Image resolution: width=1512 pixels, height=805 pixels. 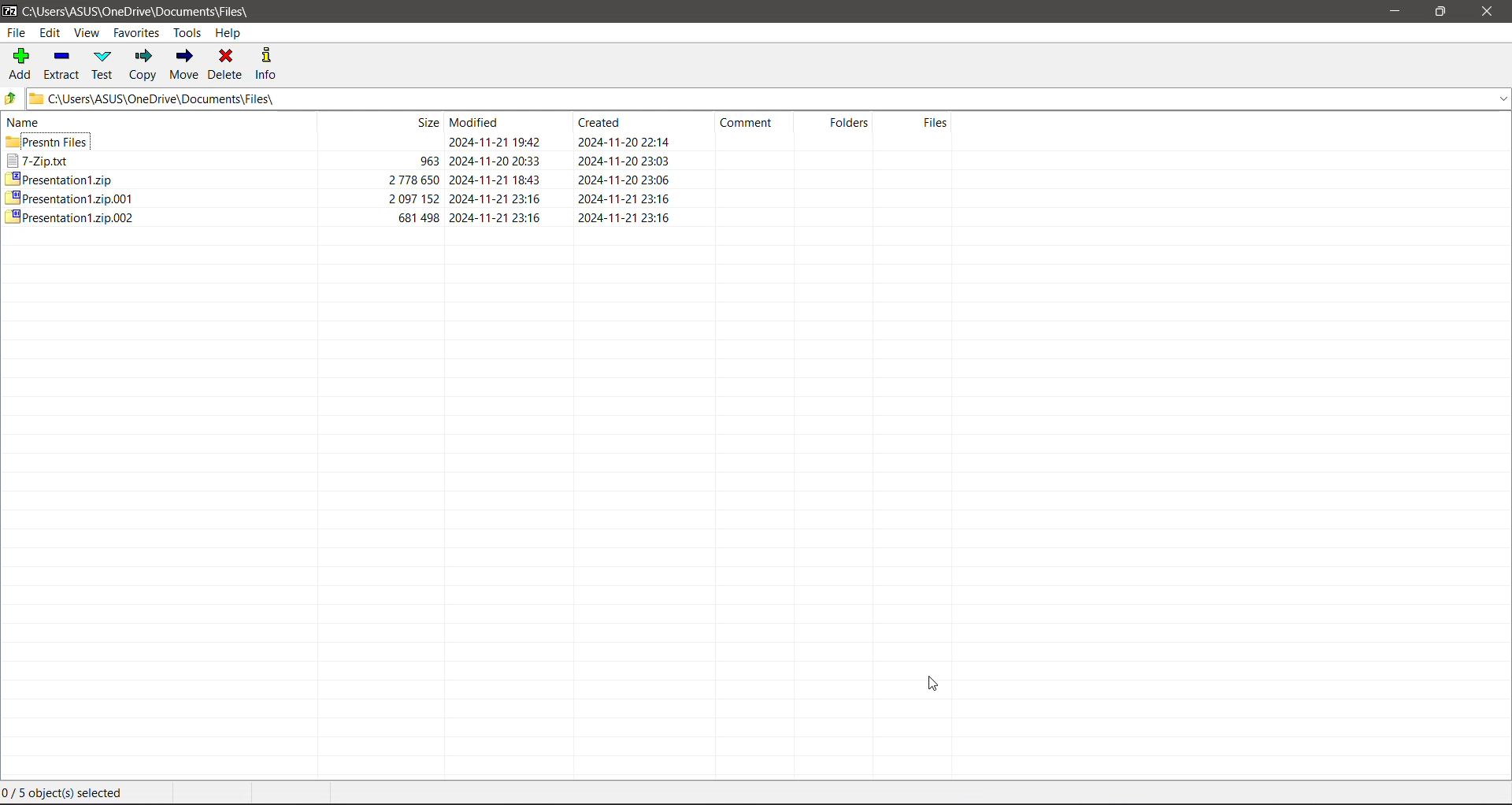 What do you see at coordinates (69, 216) in the screenshot?
I see `Presentation1.zip.002` at bounding box center [69, 216].